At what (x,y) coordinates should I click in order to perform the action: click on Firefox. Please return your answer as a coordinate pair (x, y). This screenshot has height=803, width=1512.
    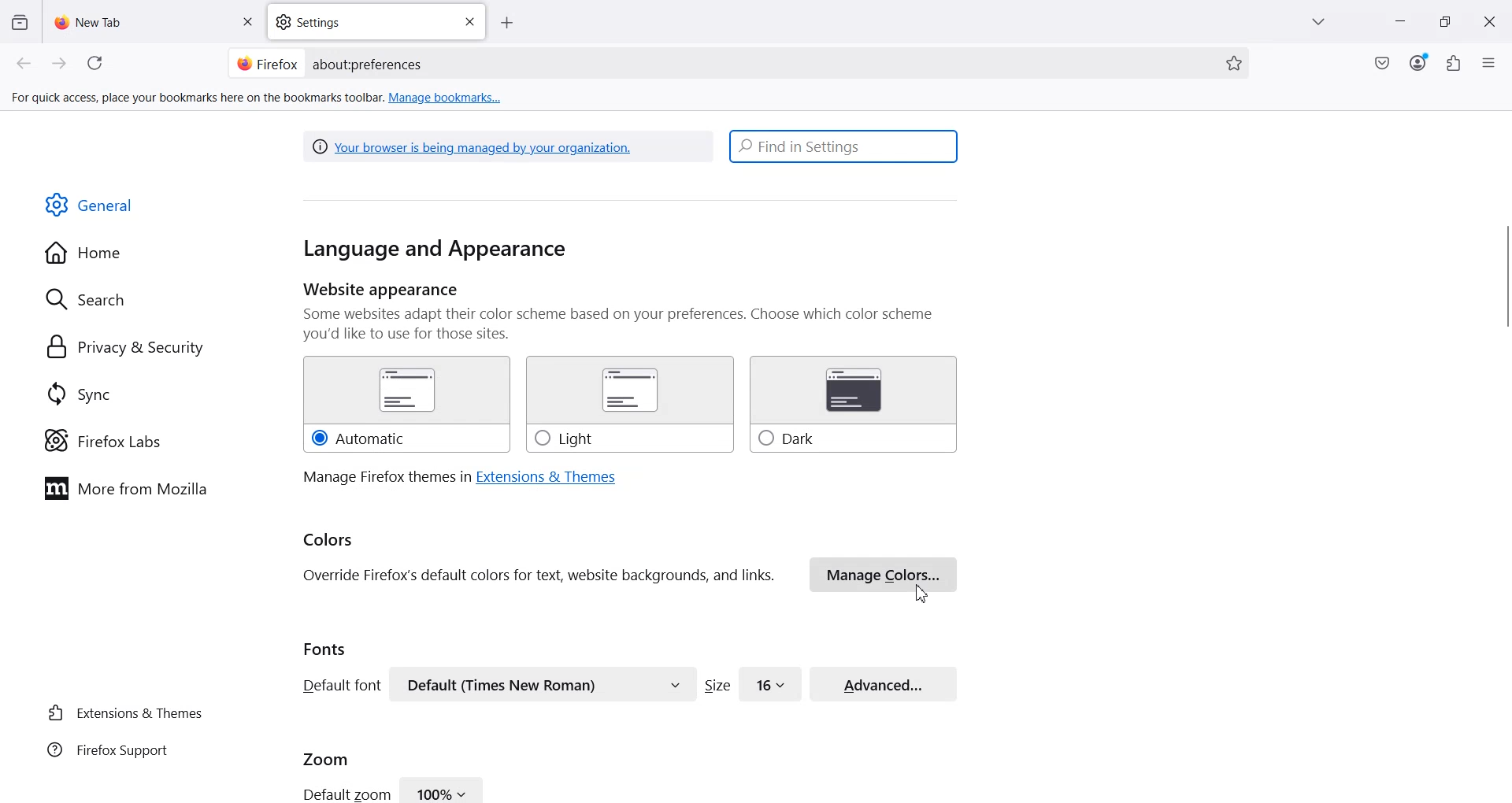
    Looking at the image, I should click on (267, 62).